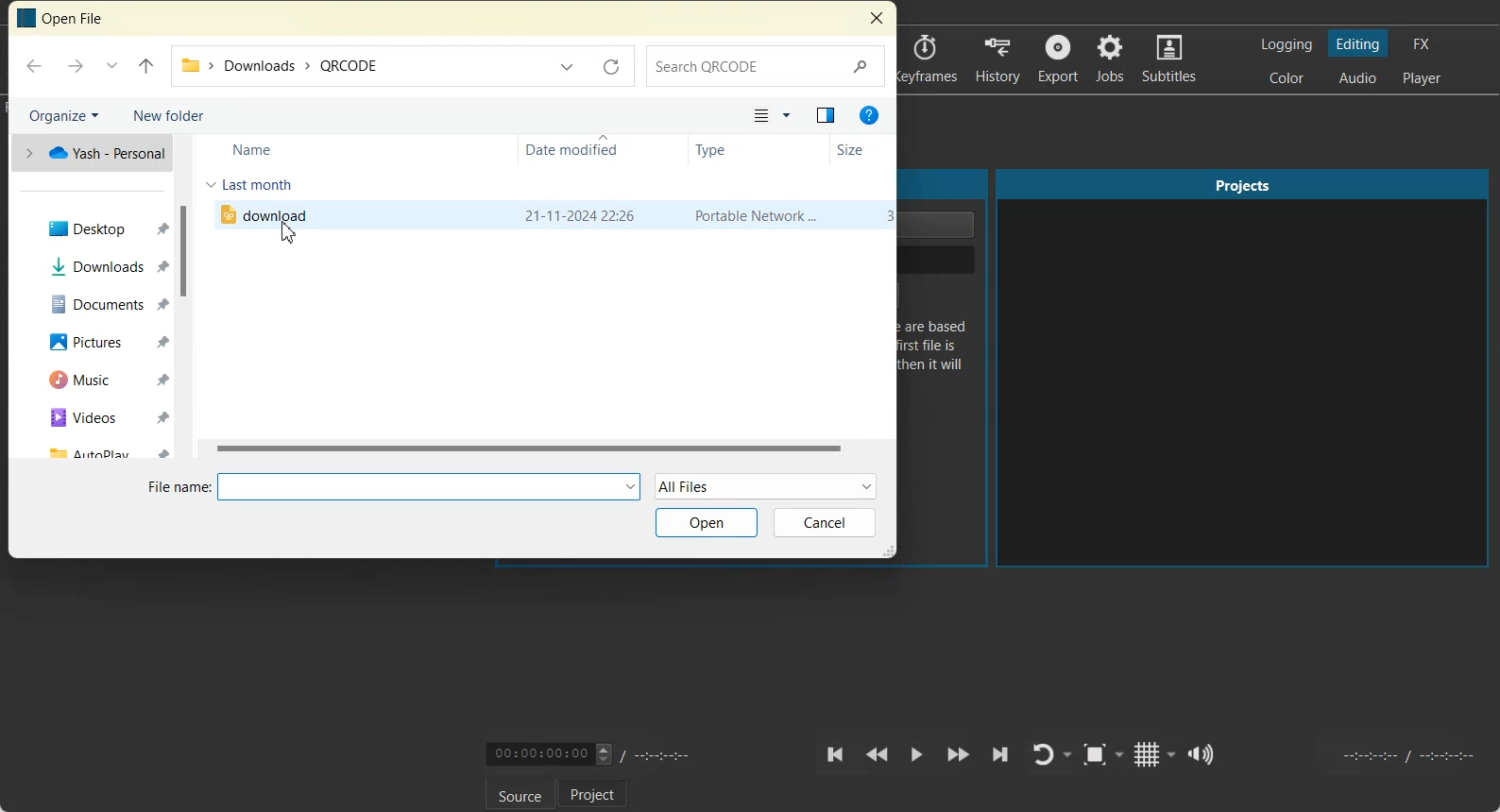  What do you see at coordinates (707, 522) in the screenshot?
I see `Open` at bounding box center [707, 522].